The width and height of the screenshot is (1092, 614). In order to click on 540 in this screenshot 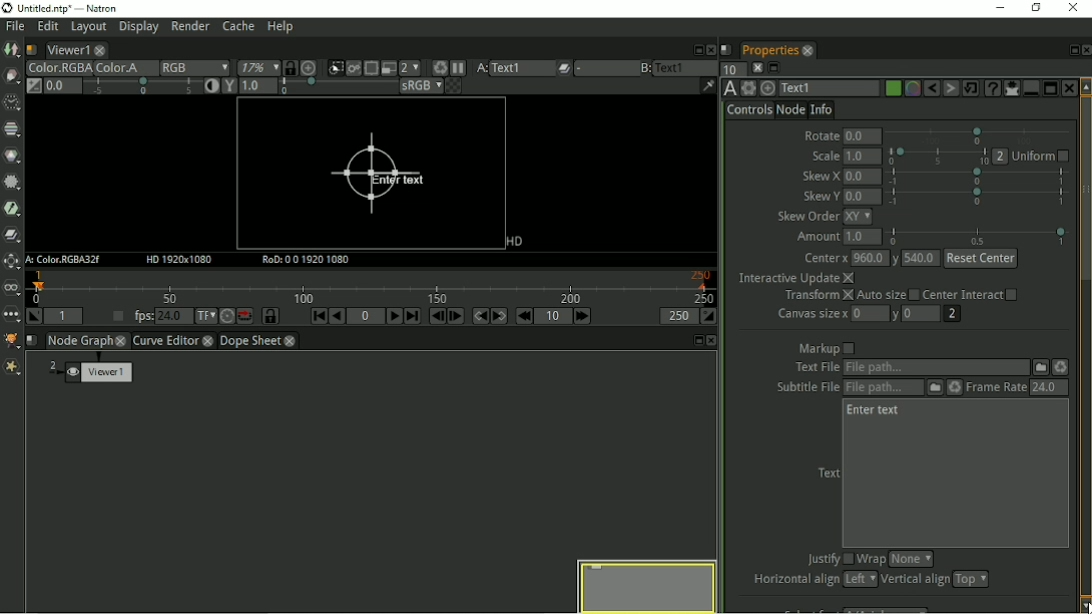, I will do `click(922, 260)`.